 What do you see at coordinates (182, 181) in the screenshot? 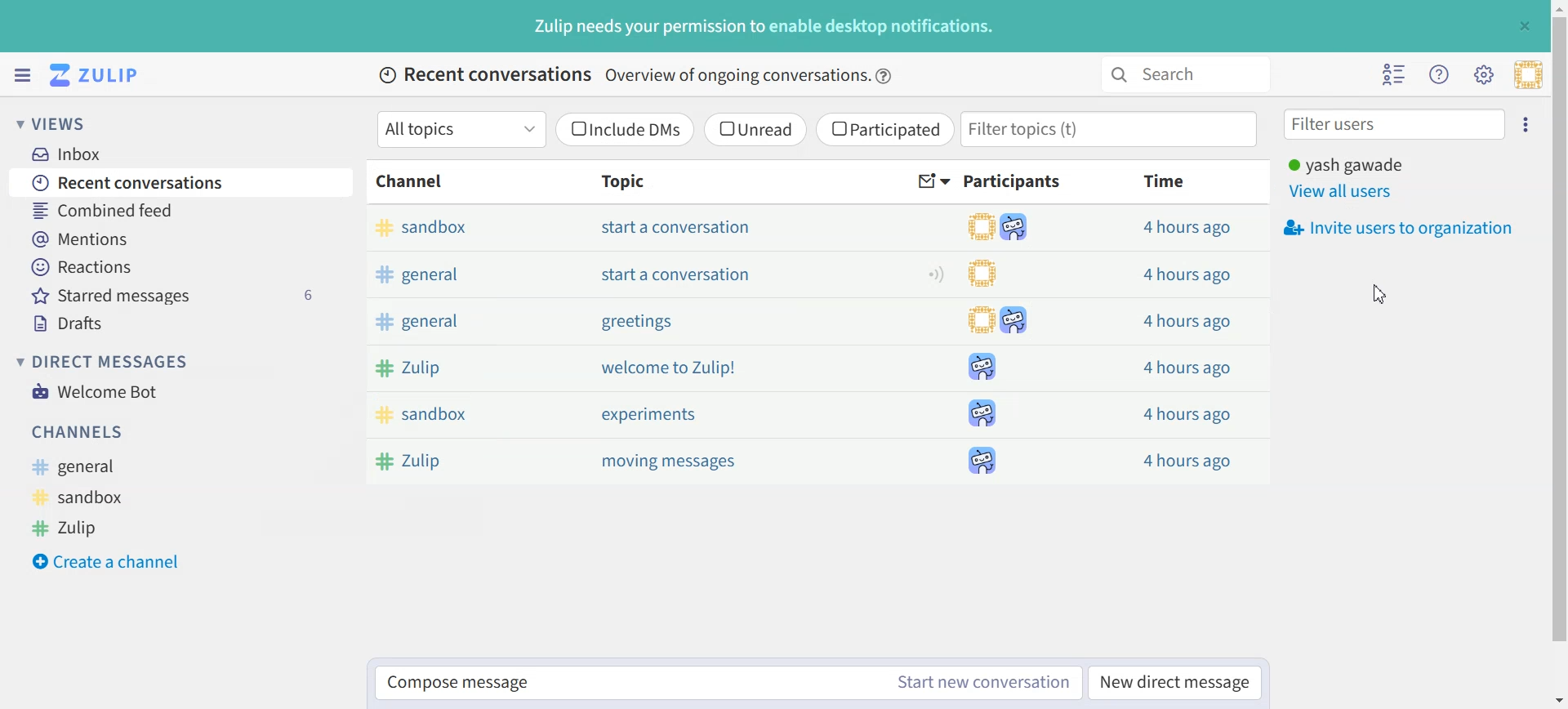
I see `Recent conversation` at bounding box center [182, 181].